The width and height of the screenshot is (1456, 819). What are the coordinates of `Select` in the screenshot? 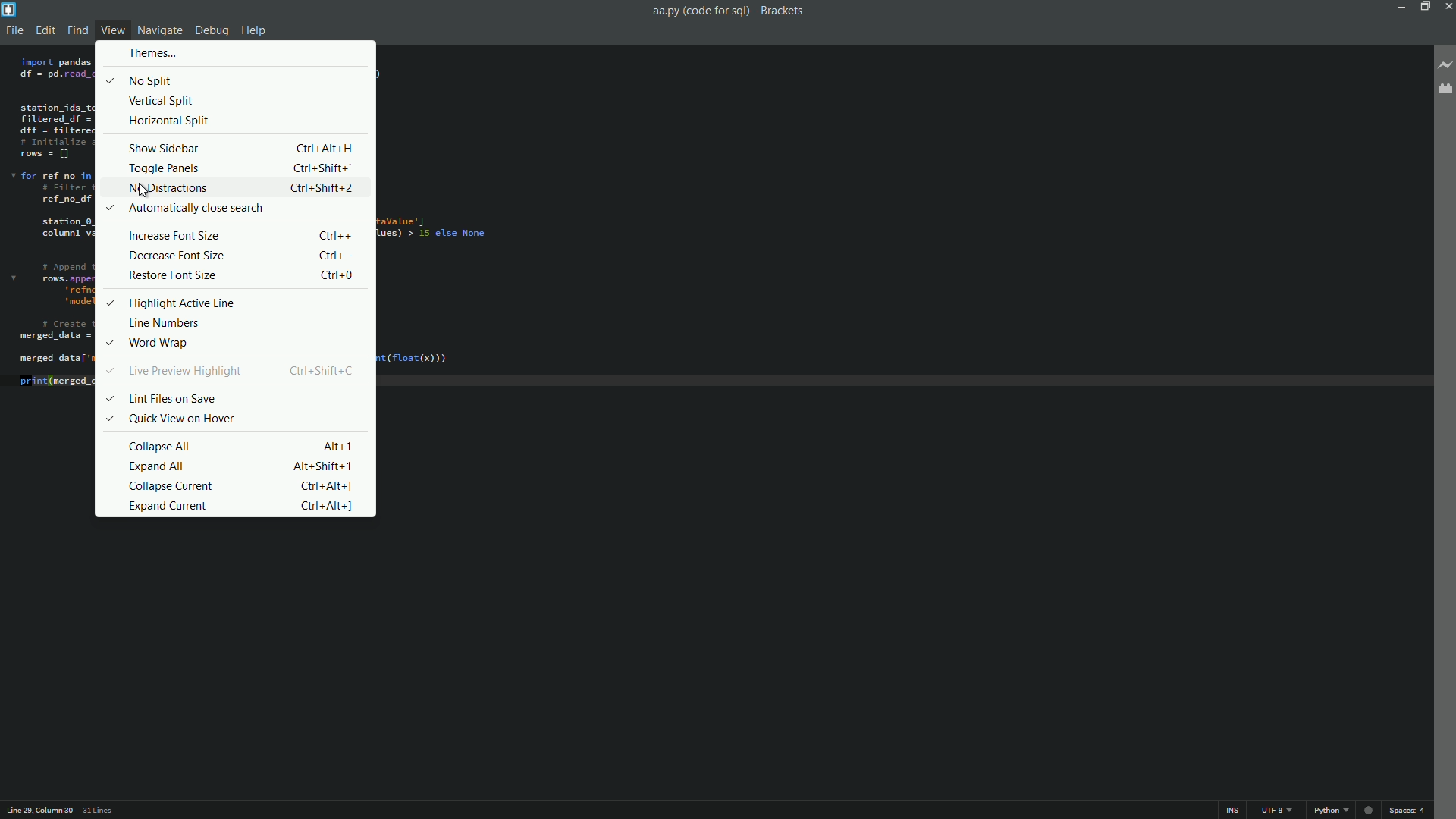 It's located at (111, 397).